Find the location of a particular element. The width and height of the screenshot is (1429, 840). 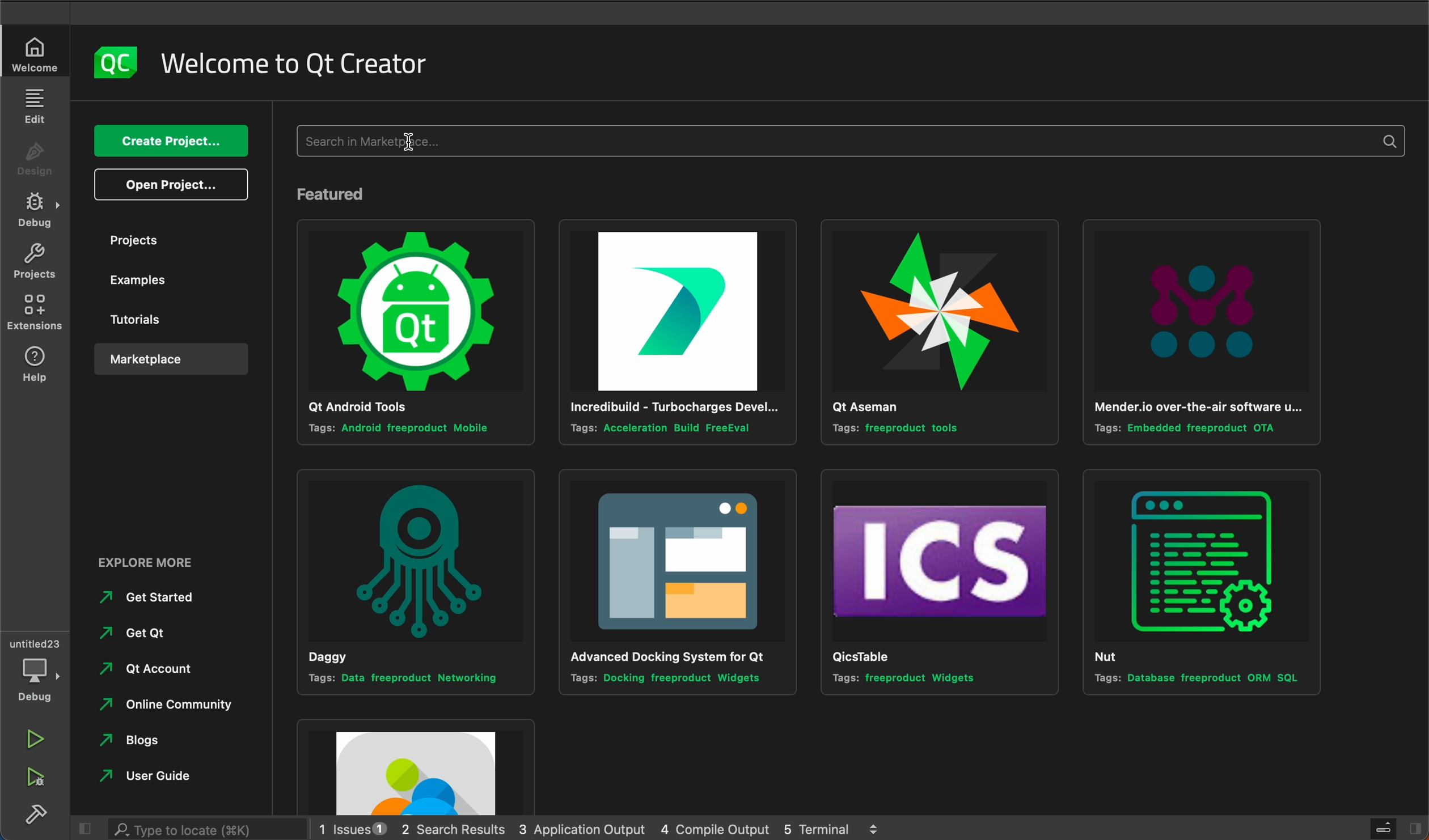

search is located at coordinates (204, 830).